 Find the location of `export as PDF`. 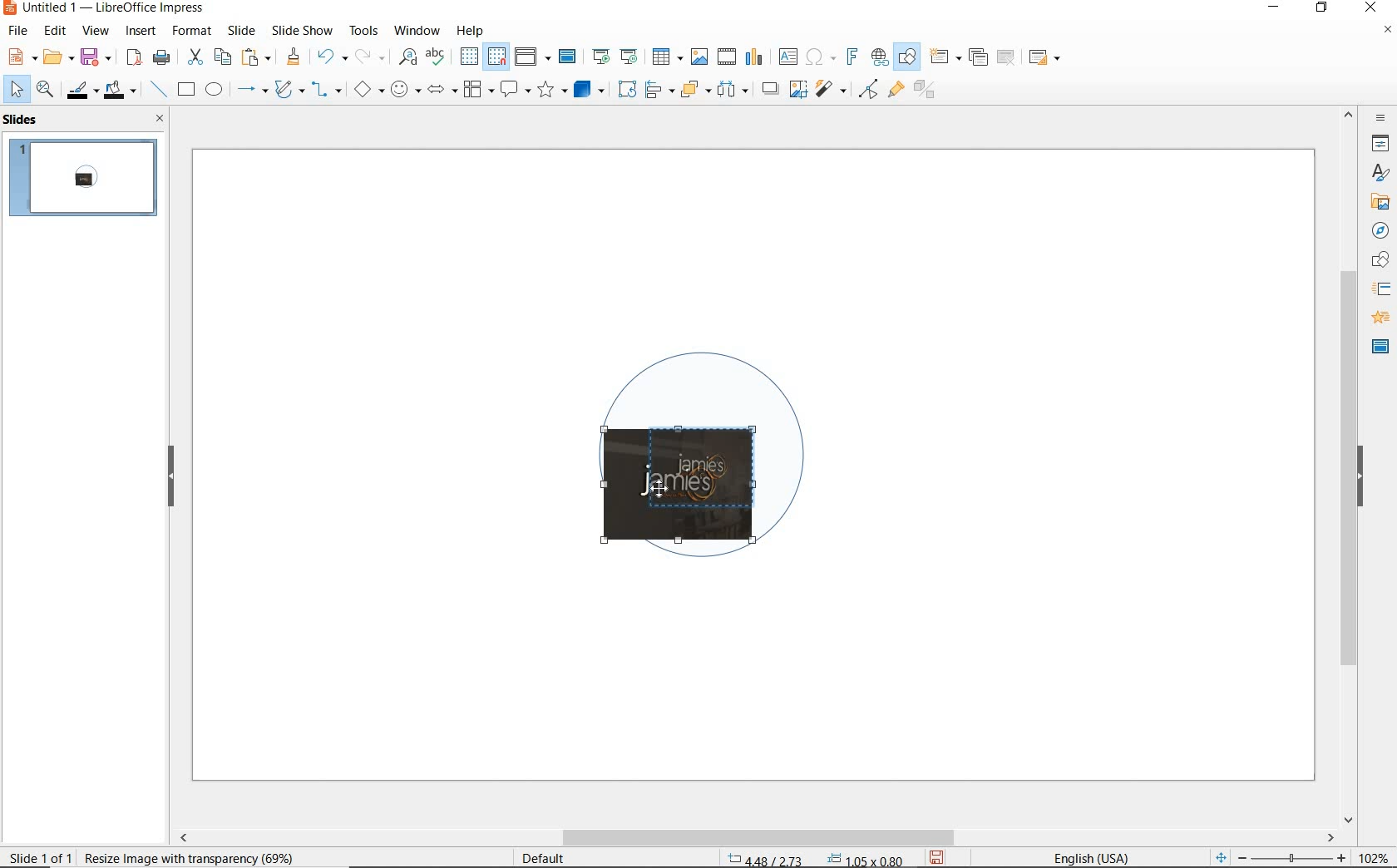

export as PDF is located at coordinates (134, 58).